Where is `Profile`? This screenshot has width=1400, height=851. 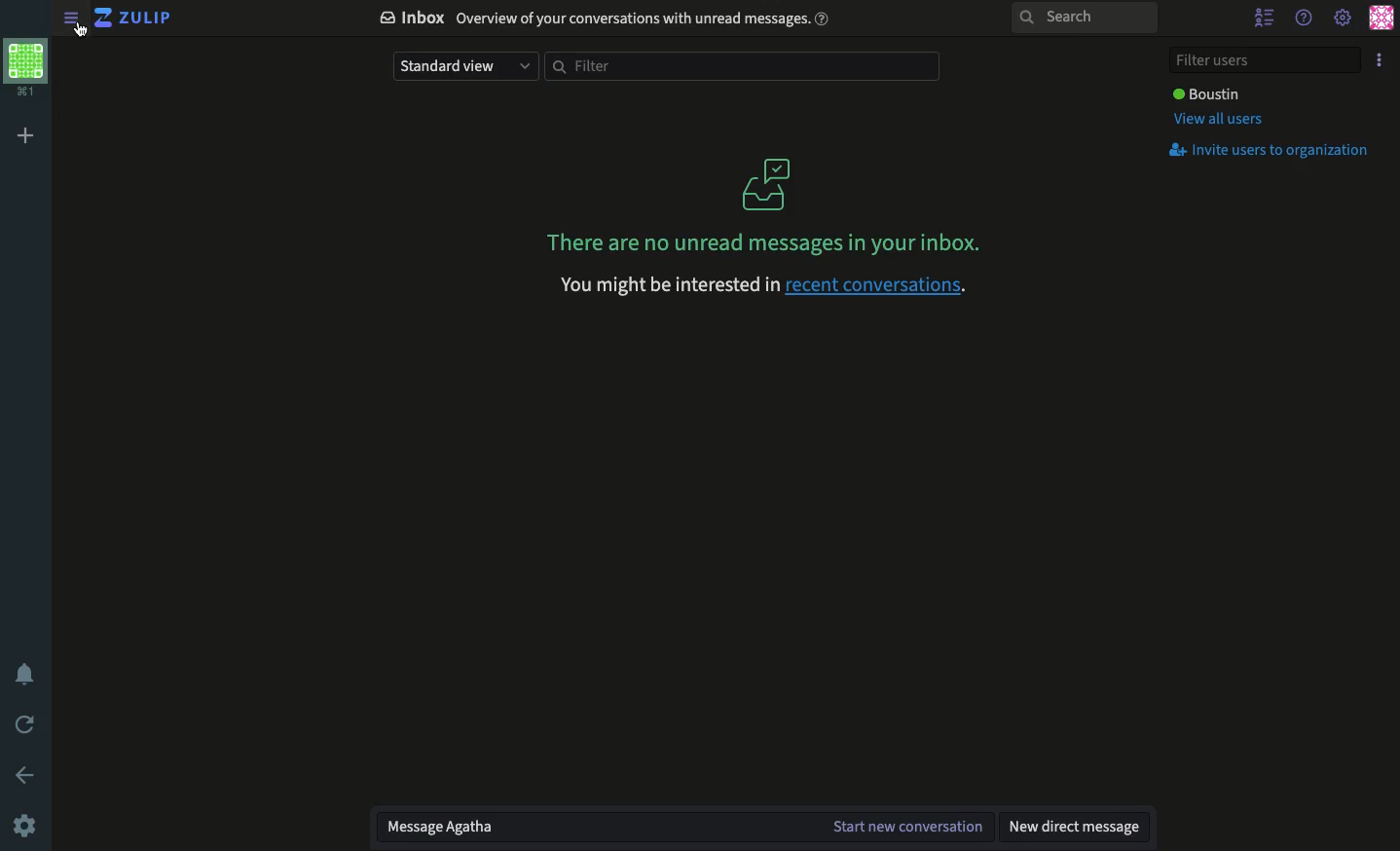 Profile is located at coordinates (1384, 20).